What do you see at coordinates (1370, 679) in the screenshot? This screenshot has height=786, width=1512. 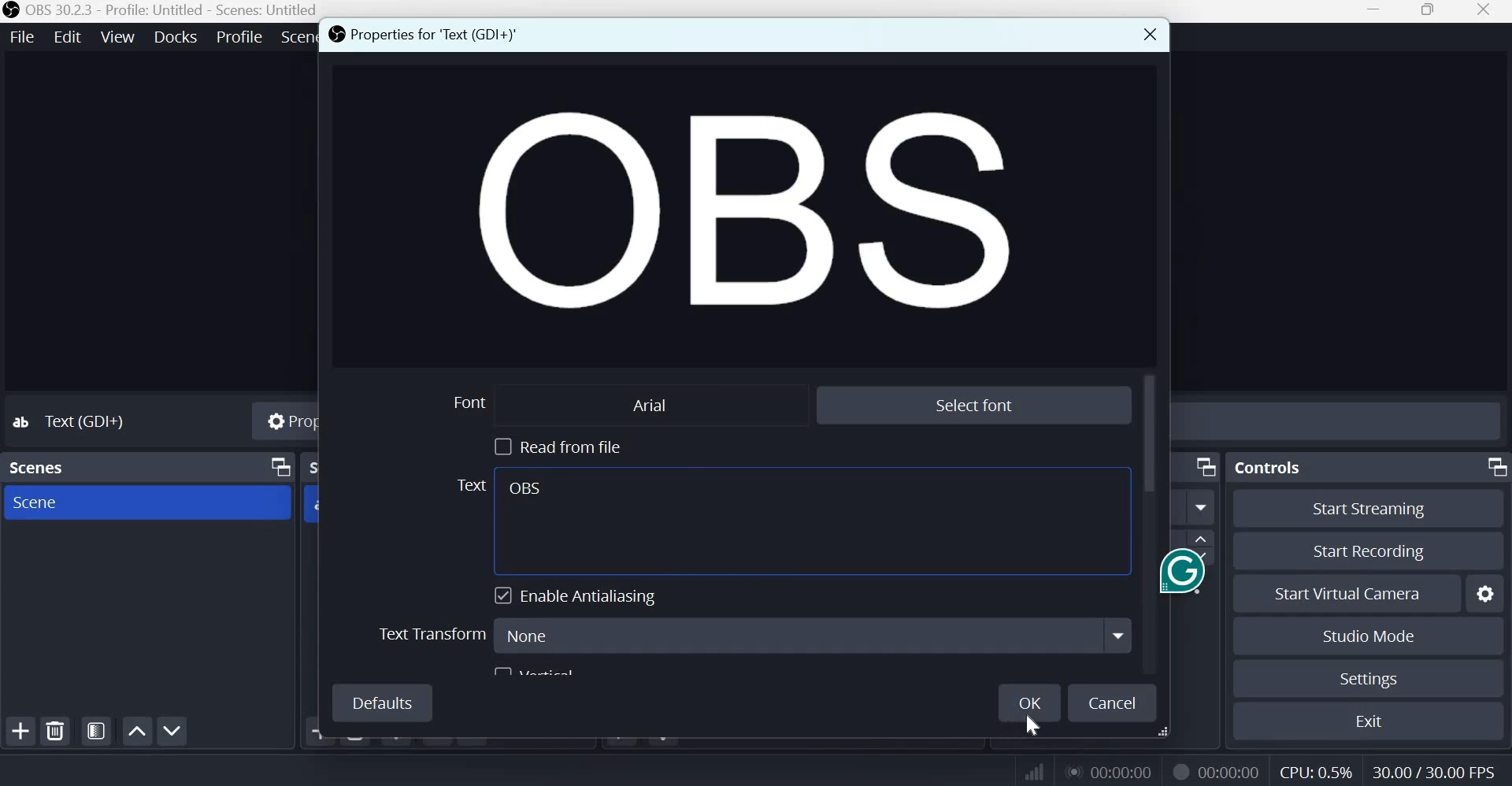 I see `Settings` at bounding box center [1370, 679].